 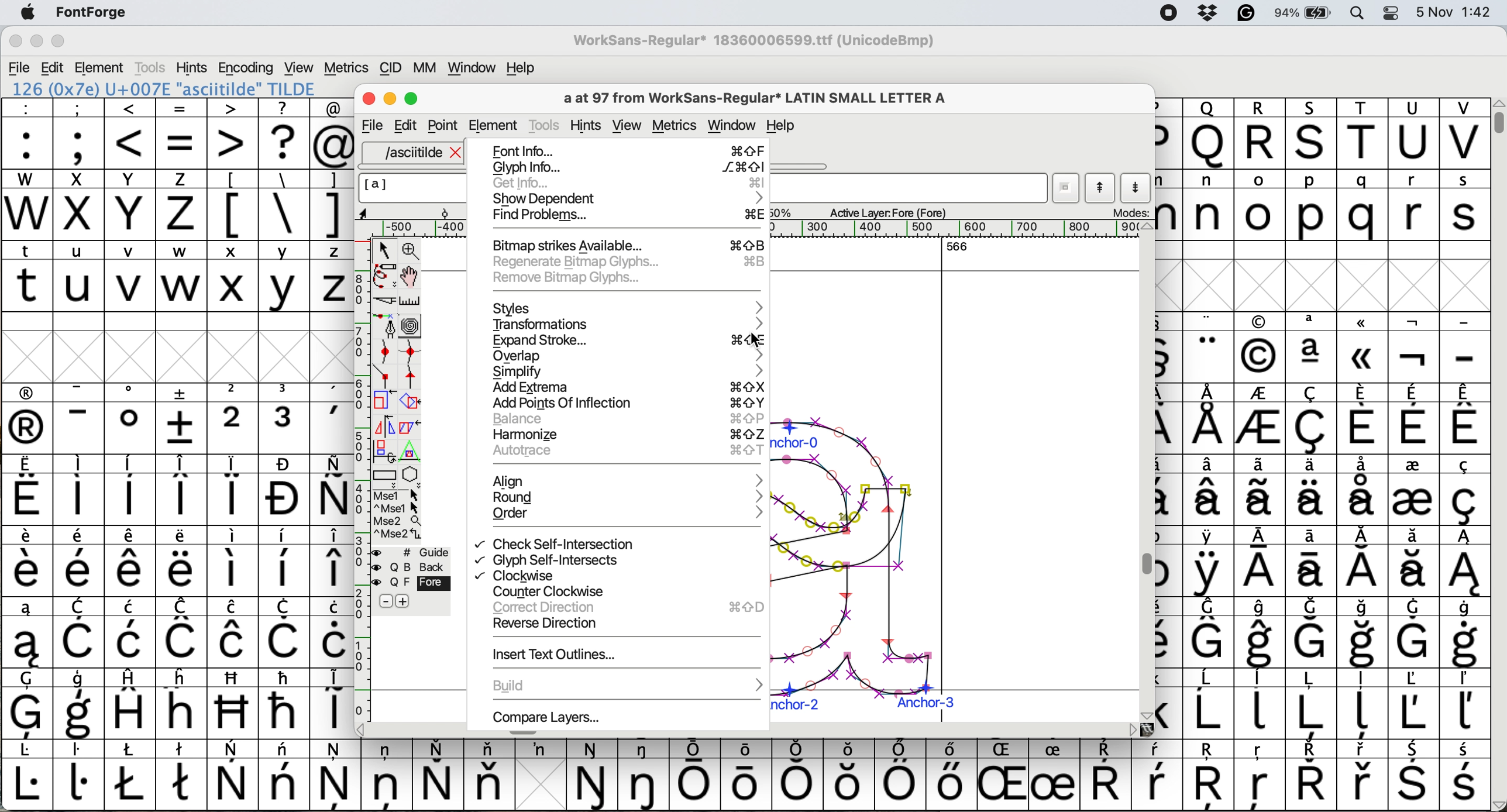 What do you see at coordinates (247, 68) in the screenshot?
I see `encoding` at bounding box center [247, 68].